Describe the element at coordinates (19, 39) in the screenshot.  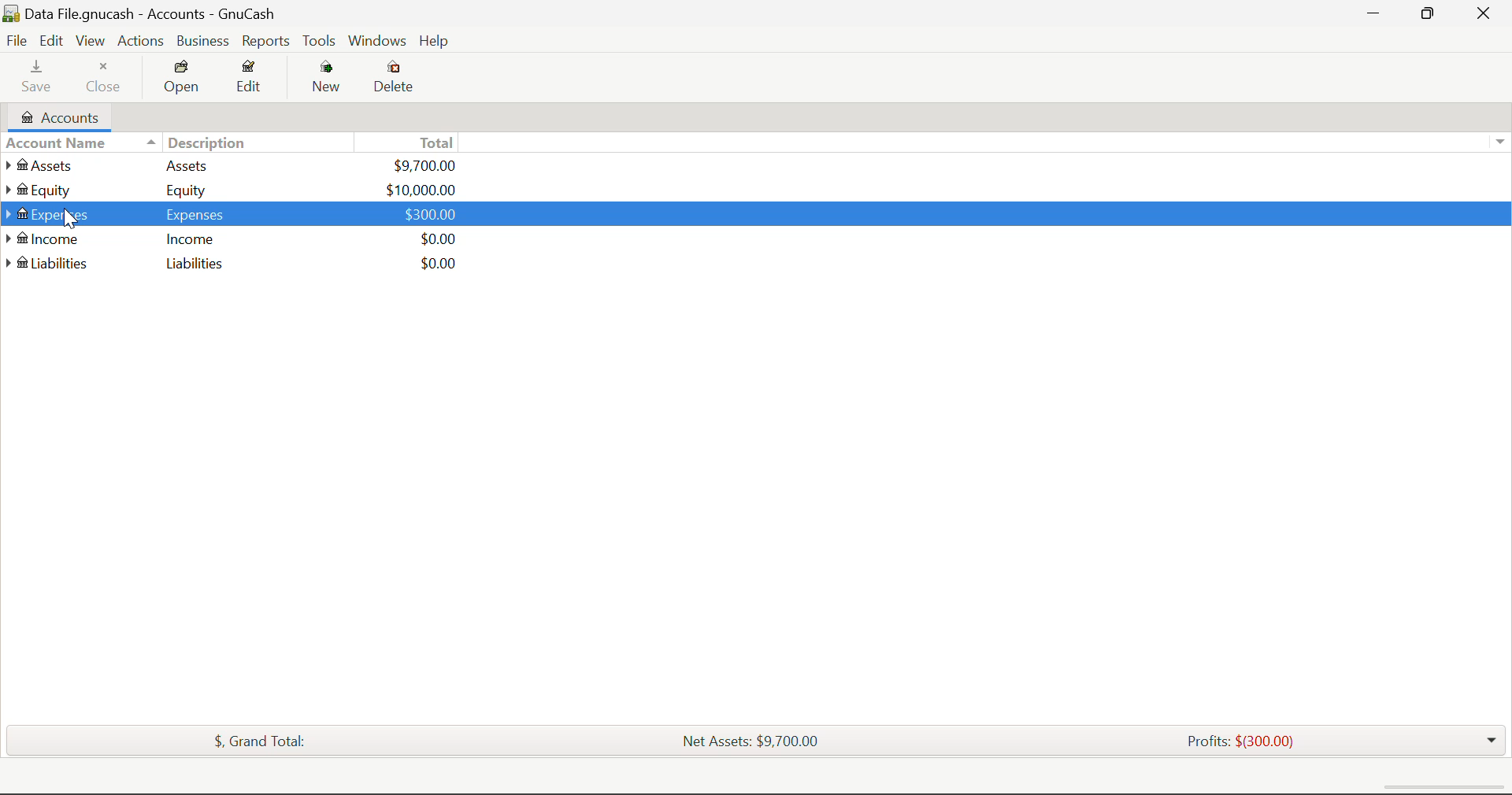
I see `File` at that location.